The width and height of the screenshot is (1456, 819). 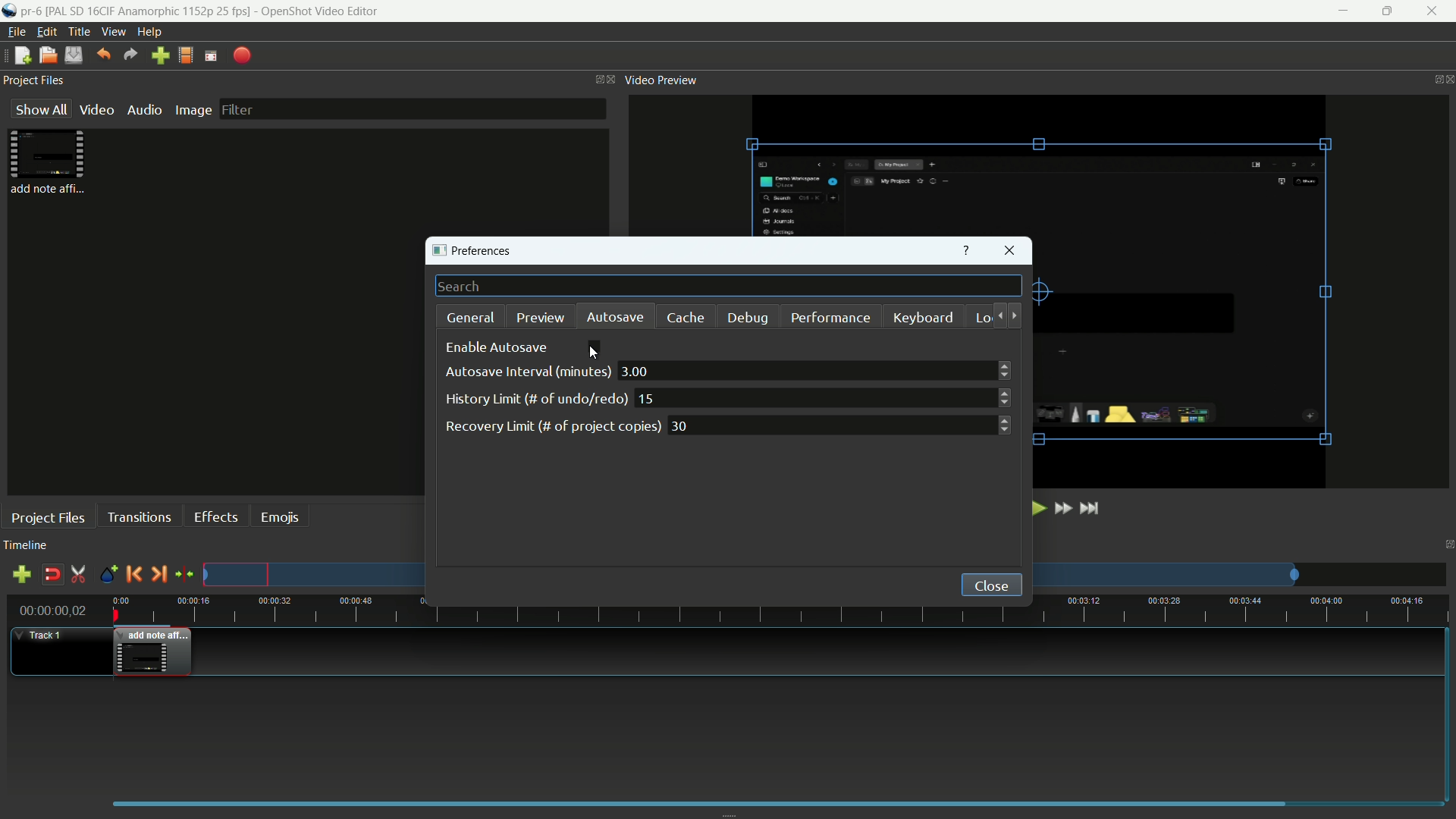 I want to click on image, so click(x=193, y=110).